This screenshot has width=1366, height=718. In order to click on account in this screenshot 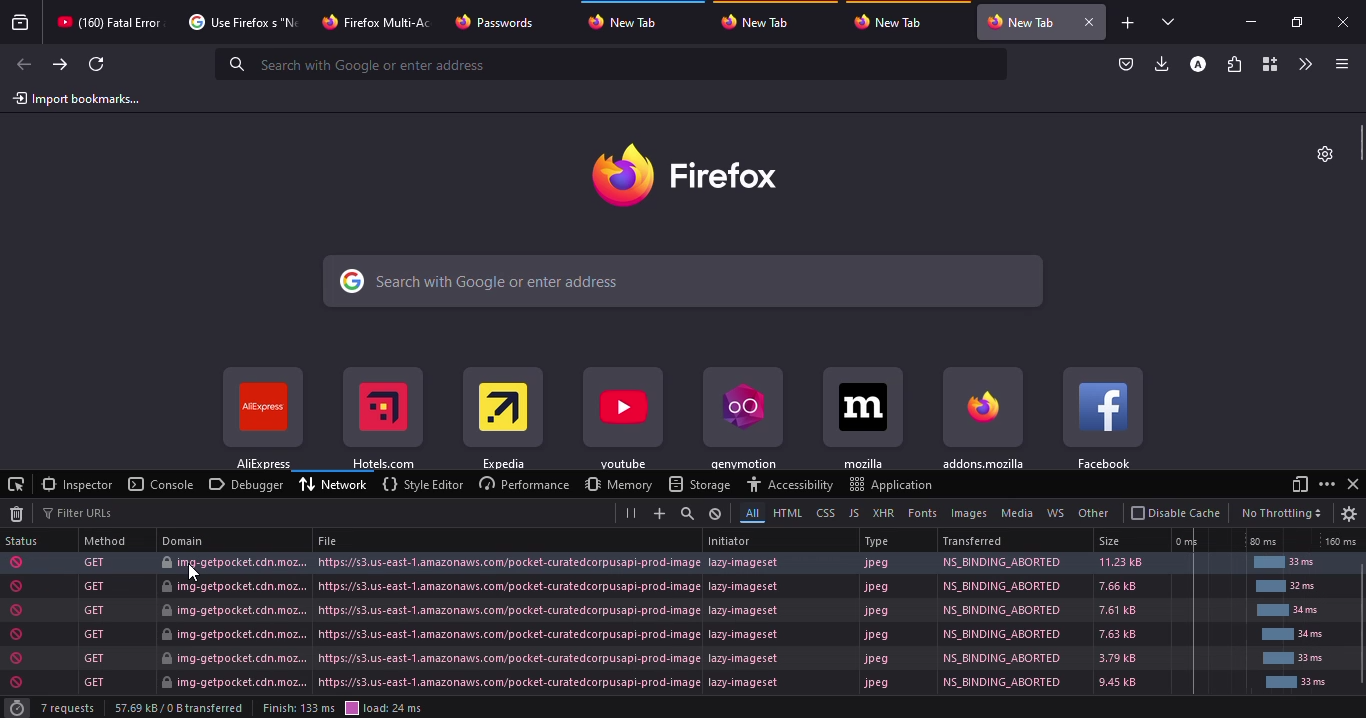, I will do `click(1198, 64)`.